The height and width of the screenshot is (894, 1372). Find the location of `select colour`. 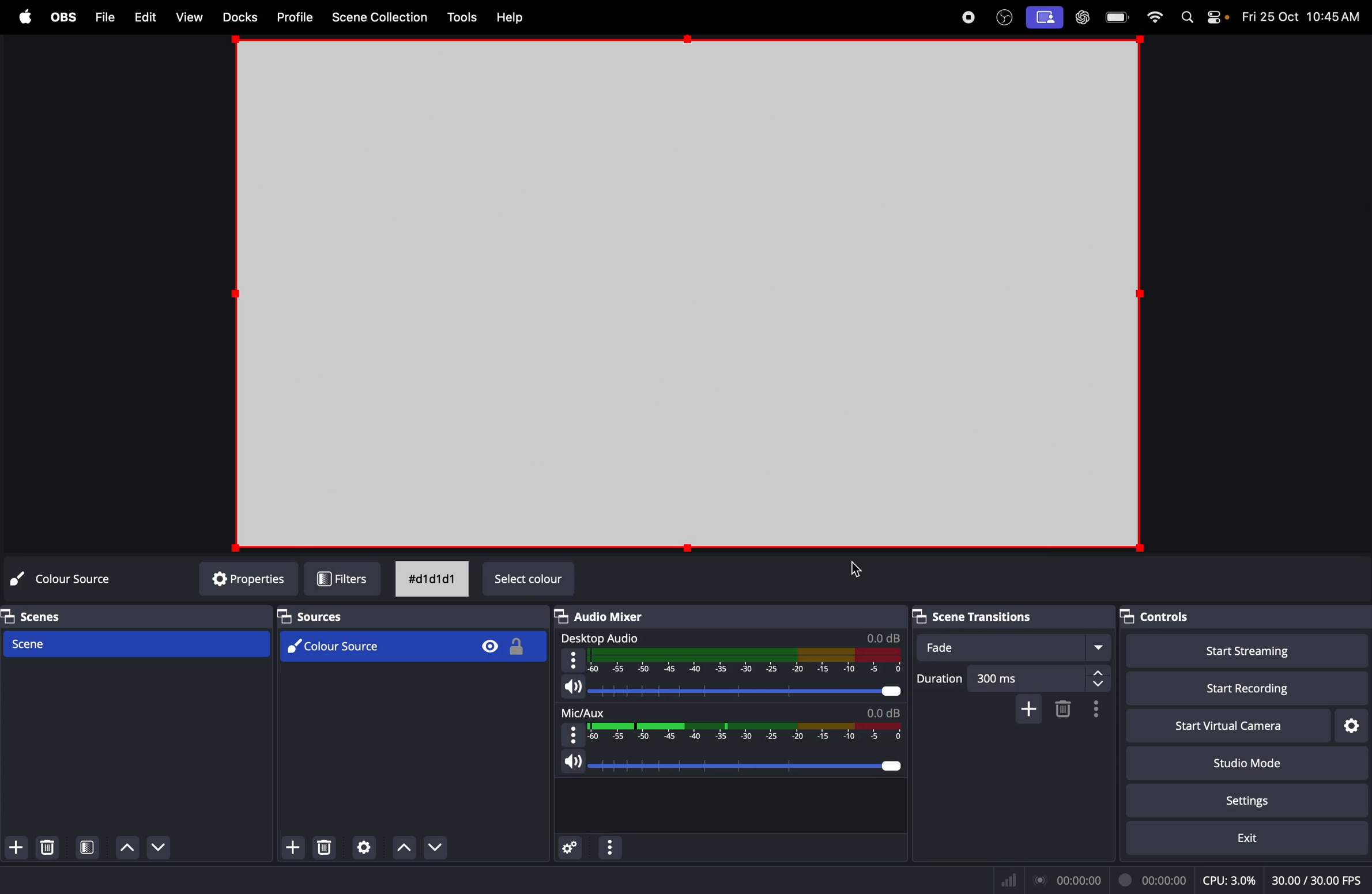

select colour is located at coordinates (529, 580).